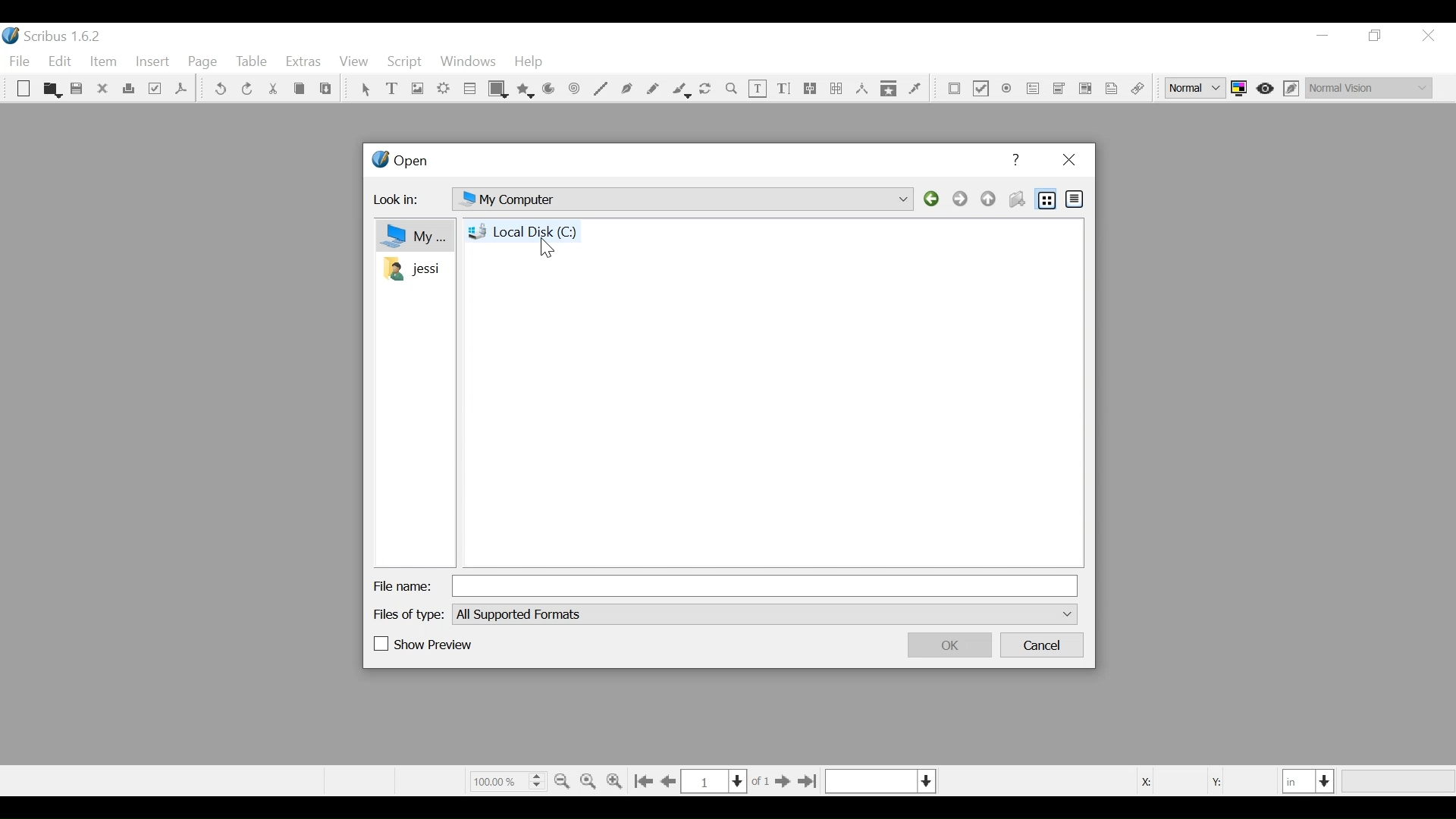 This screenshot has width=1456, height=819. I want to click on Spiral , so click(573, 90).